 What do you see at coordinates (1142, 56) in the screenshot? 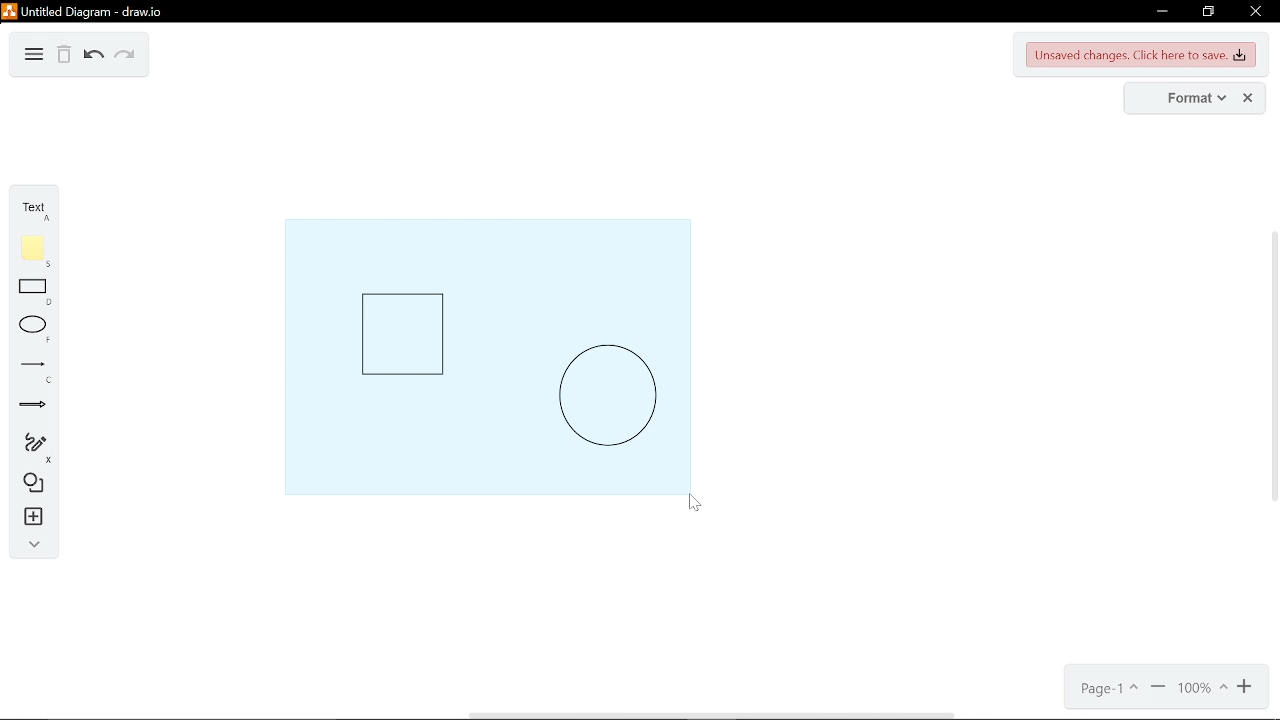
I see `unsaved changes. Click here to save` at bounding box center [1142, 56].